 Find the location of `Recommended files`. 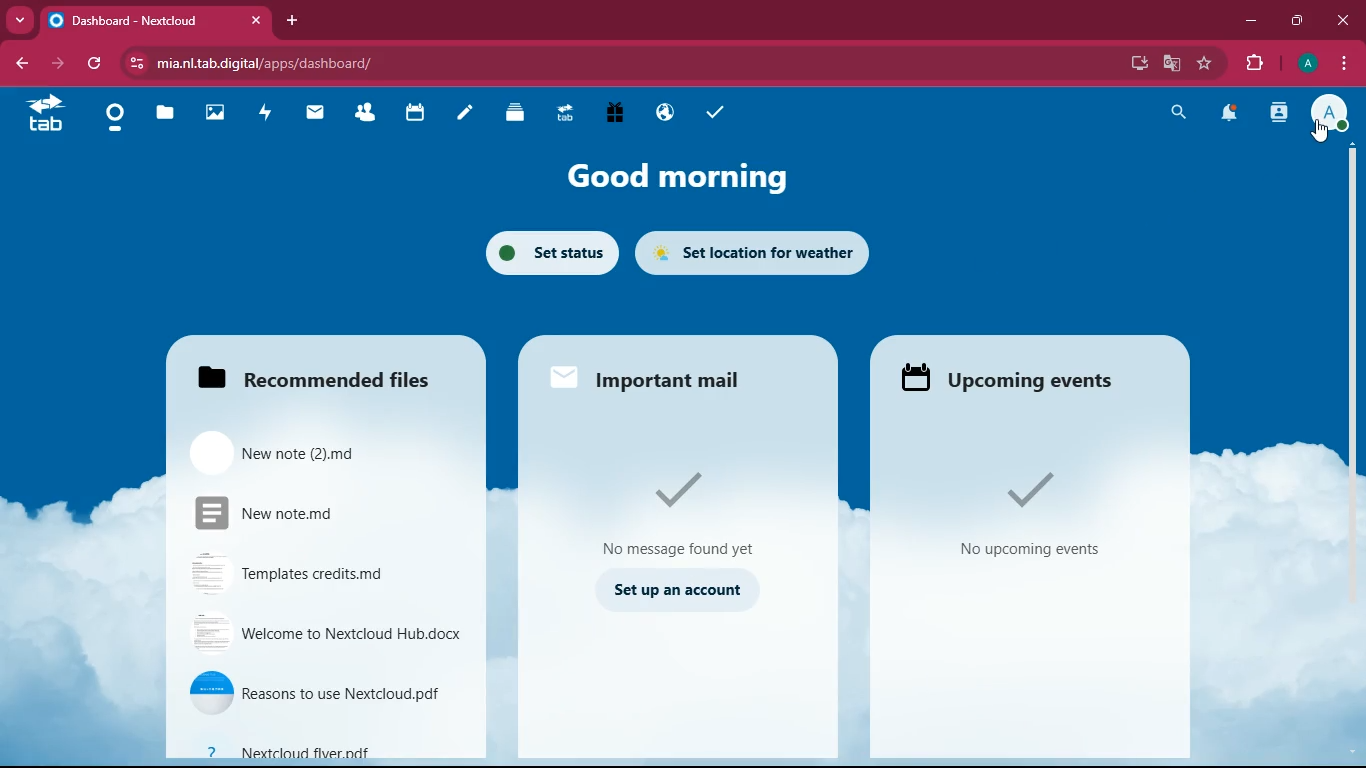

Recommended files is located at coordinates (330, 379).